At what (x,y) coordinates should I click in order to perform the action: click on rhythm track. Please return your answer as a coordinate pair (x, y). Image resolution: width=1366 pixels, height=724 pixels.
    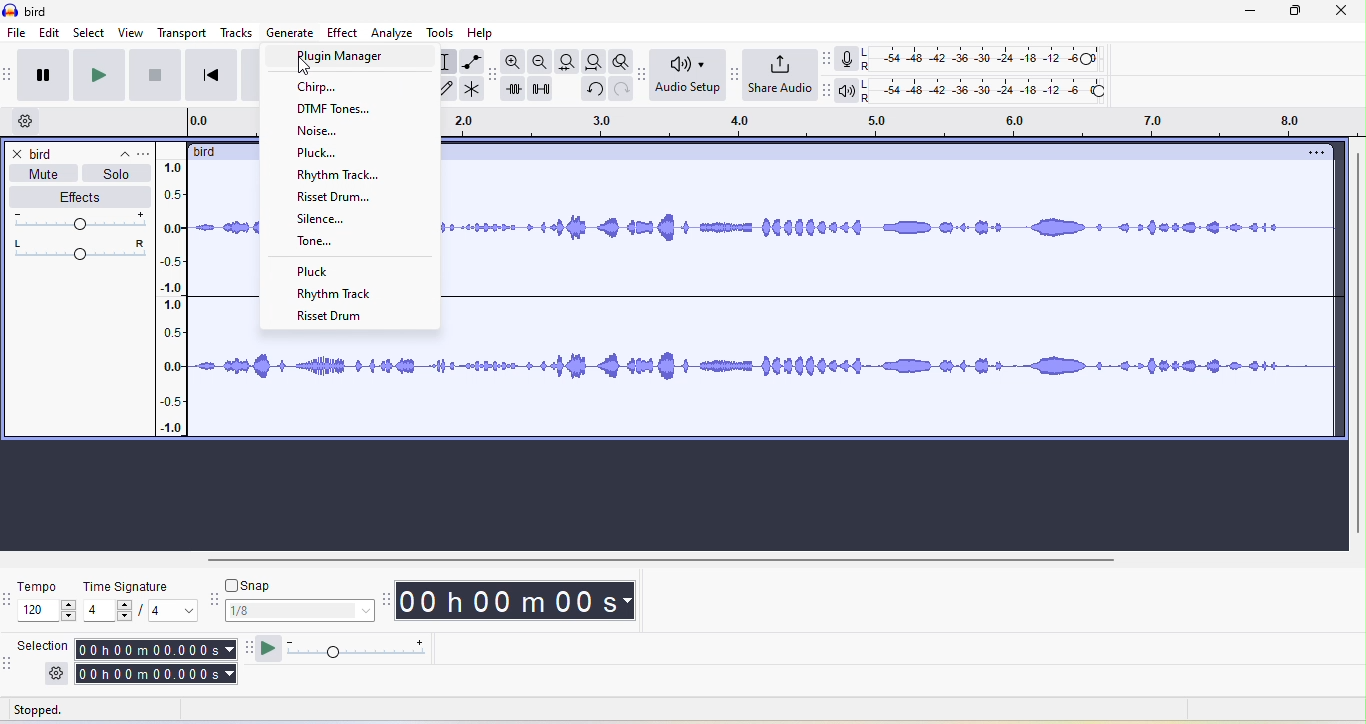
    Looking at the image, I should click on (342, 293).